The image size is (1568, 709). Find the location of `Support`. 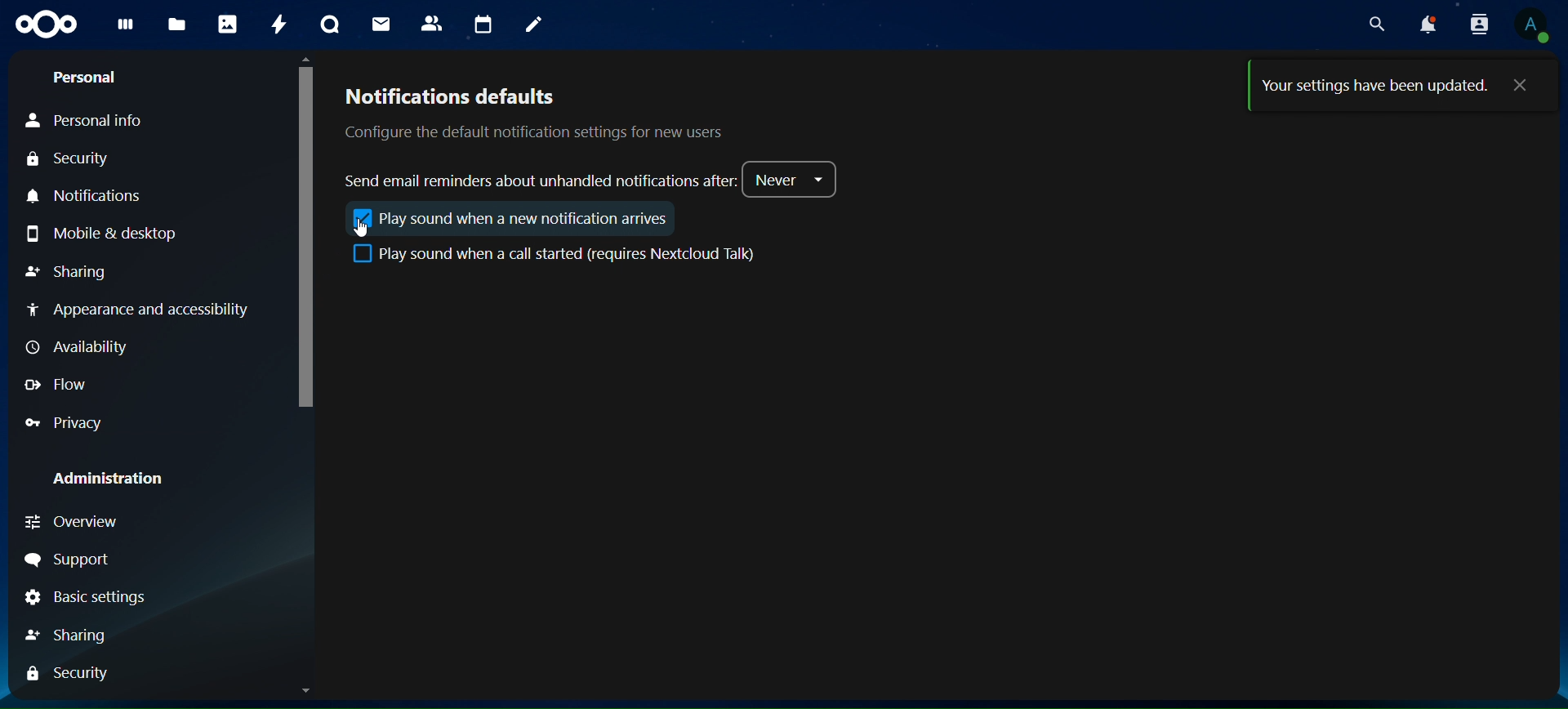

Support is located at coordinates (67, 561).